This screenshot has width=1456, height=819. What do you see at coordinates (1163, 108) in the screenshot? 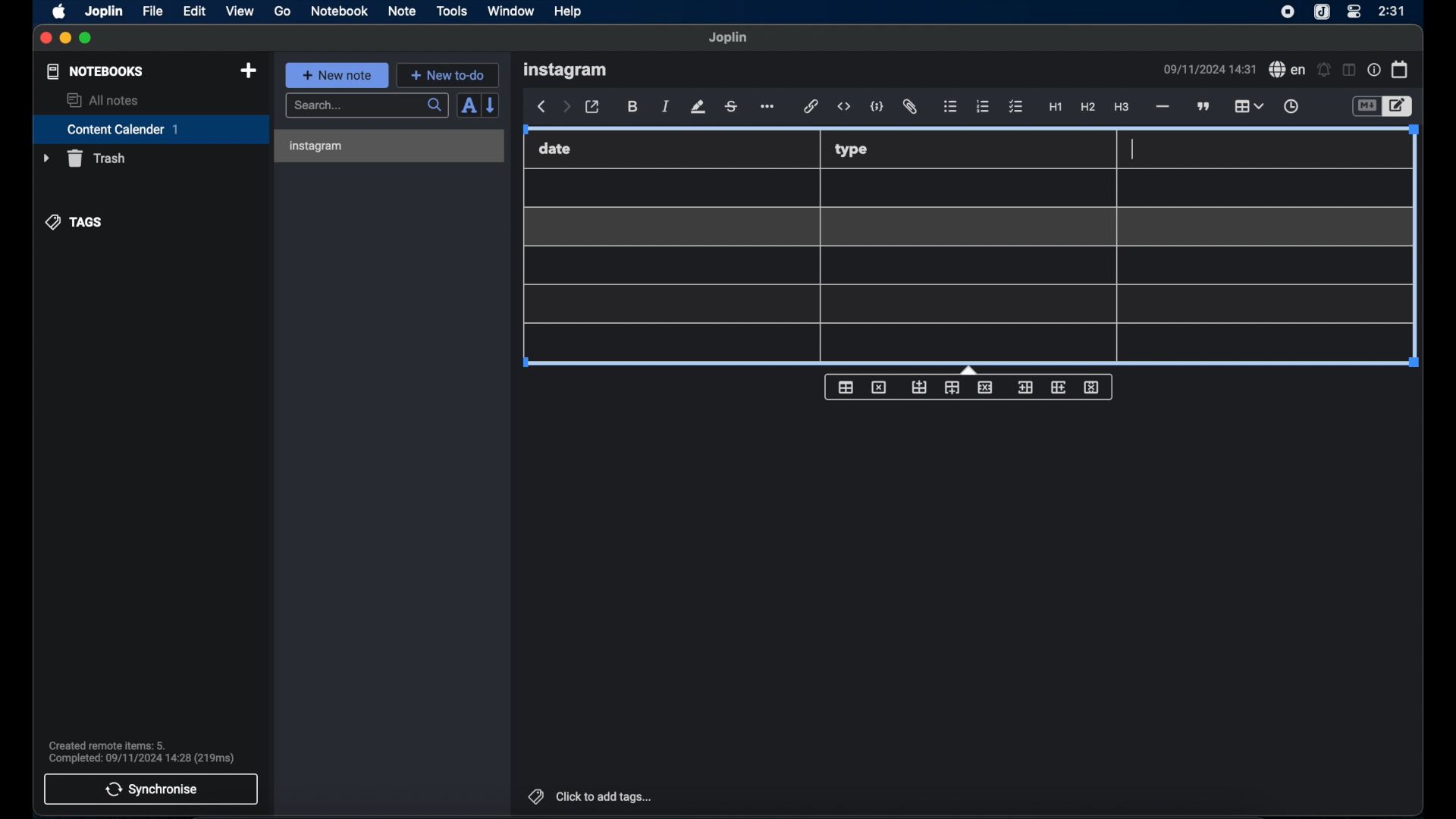
I see `horizontal line` at bounding box center [1163, 108].